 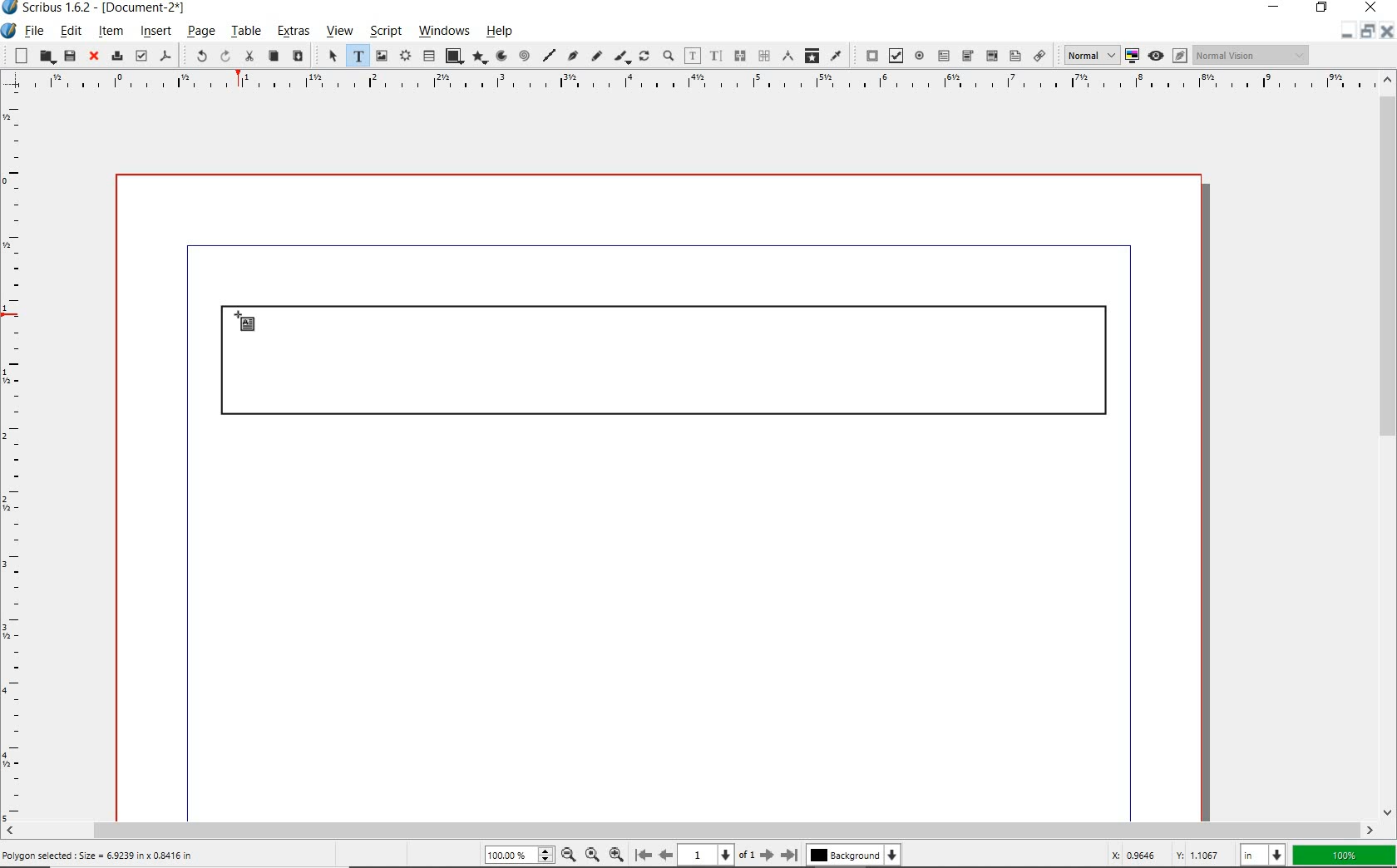 What do you see at coordinates (991, 57) in the screenshot?
I see `pdf combo box` at bounding box center [991, 57].